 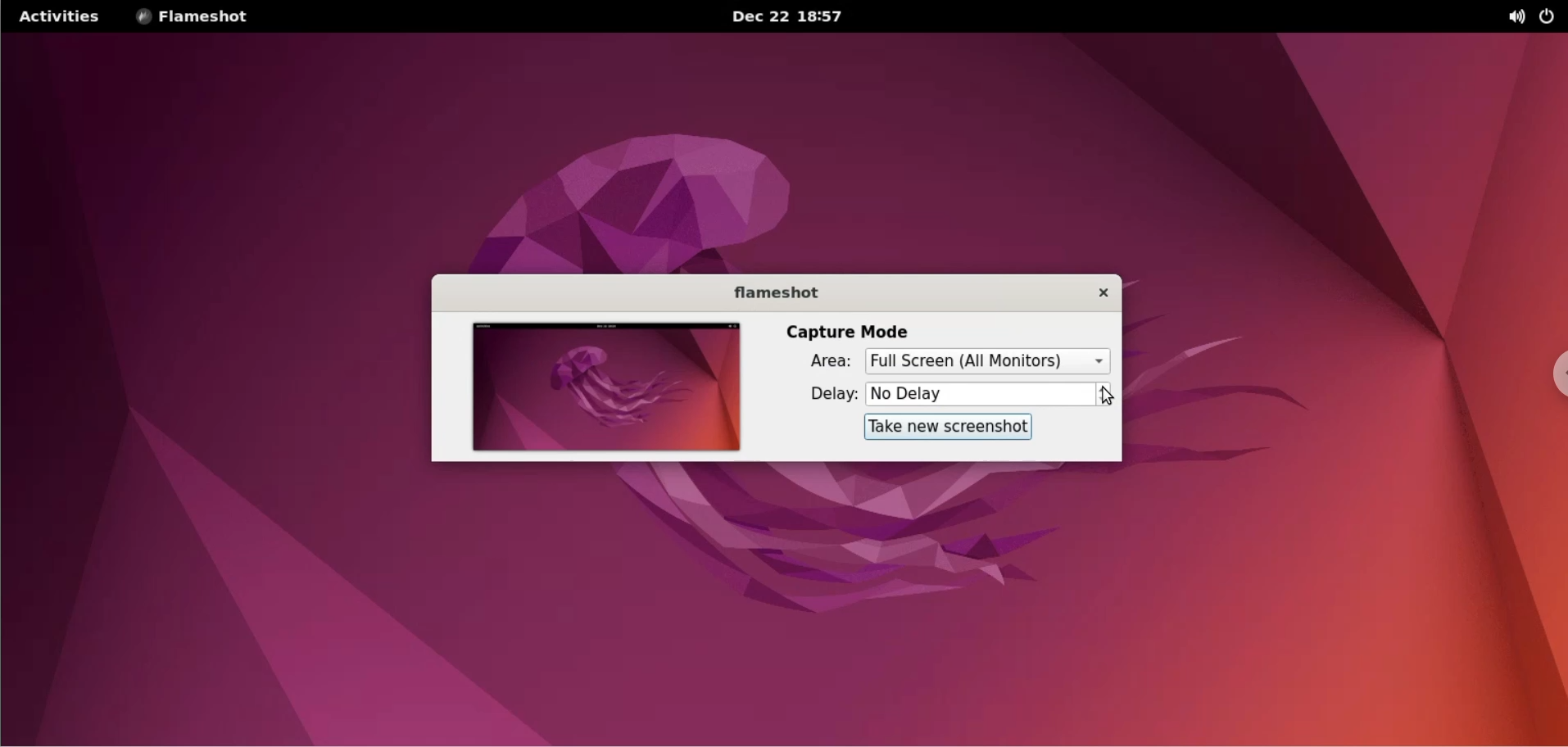 I want to click on flameshot, so click(x=766, y=292).